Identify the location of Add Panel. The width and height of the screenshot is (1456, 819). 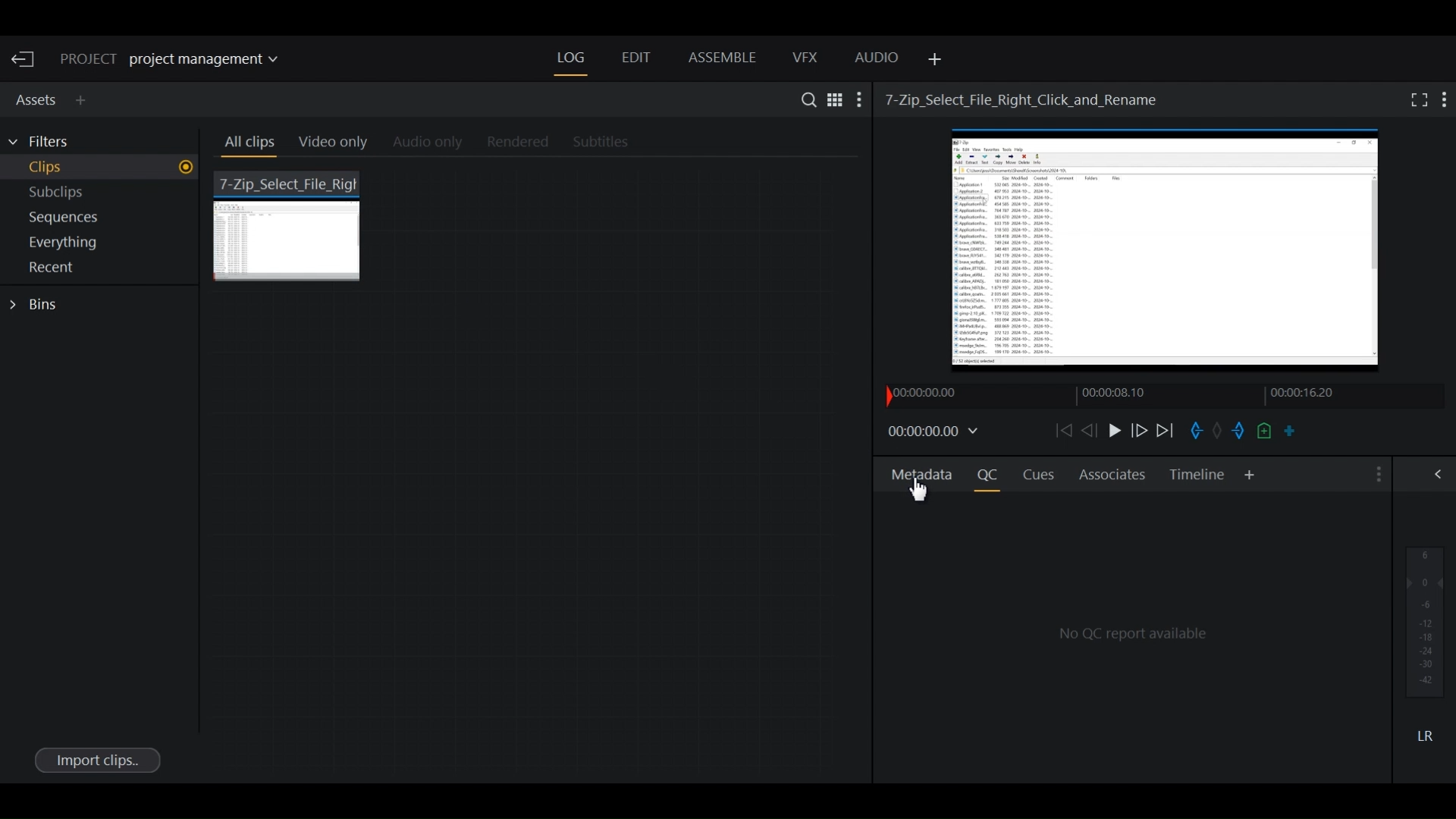
(84, 100).